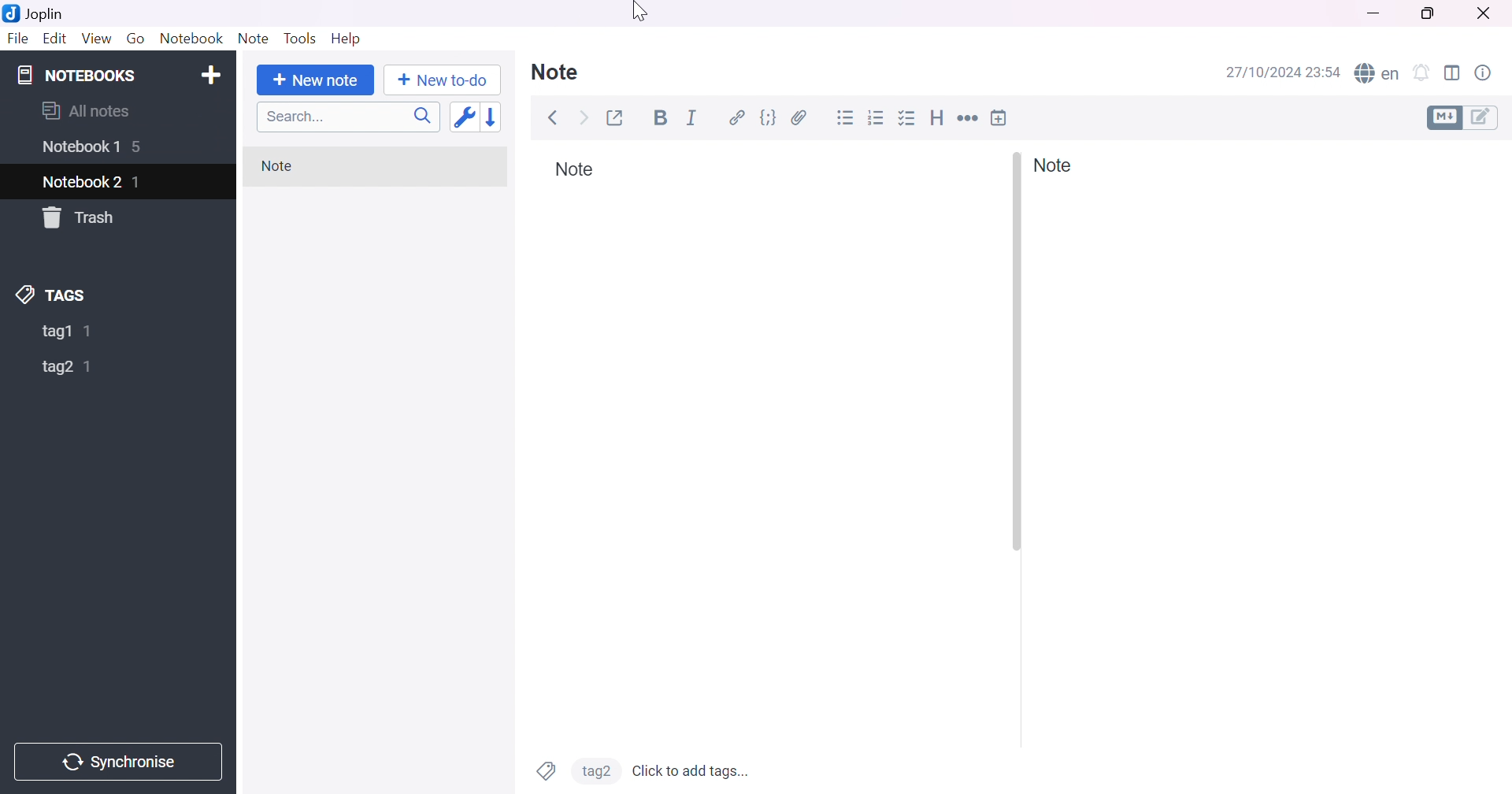 This screenshot has height=794, width=1512. I want to click on Hyperlink, so click(739, 118).